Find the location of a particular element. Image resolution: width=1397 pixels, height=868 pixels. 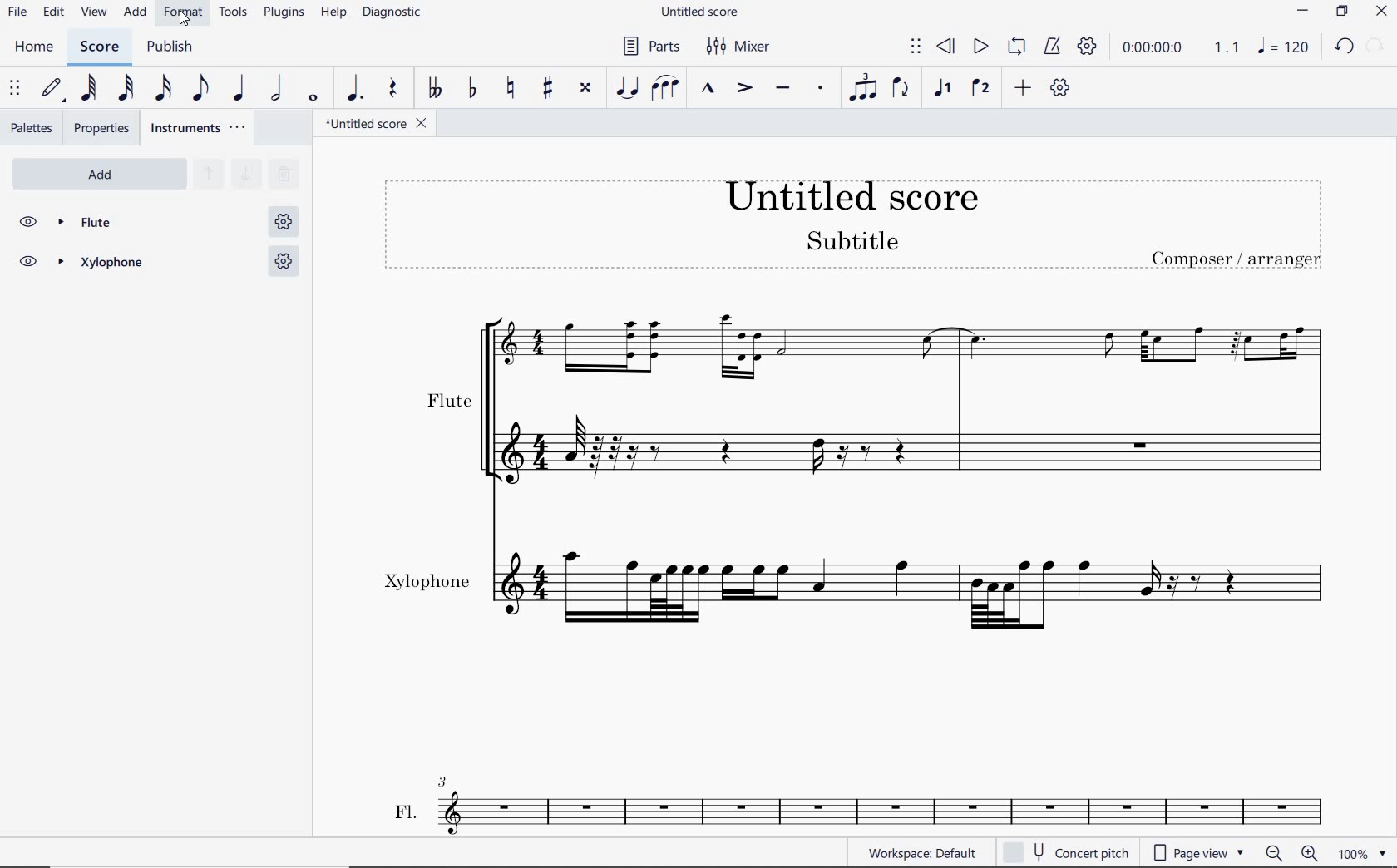

PALETTES is located at coordinates (30, 128).